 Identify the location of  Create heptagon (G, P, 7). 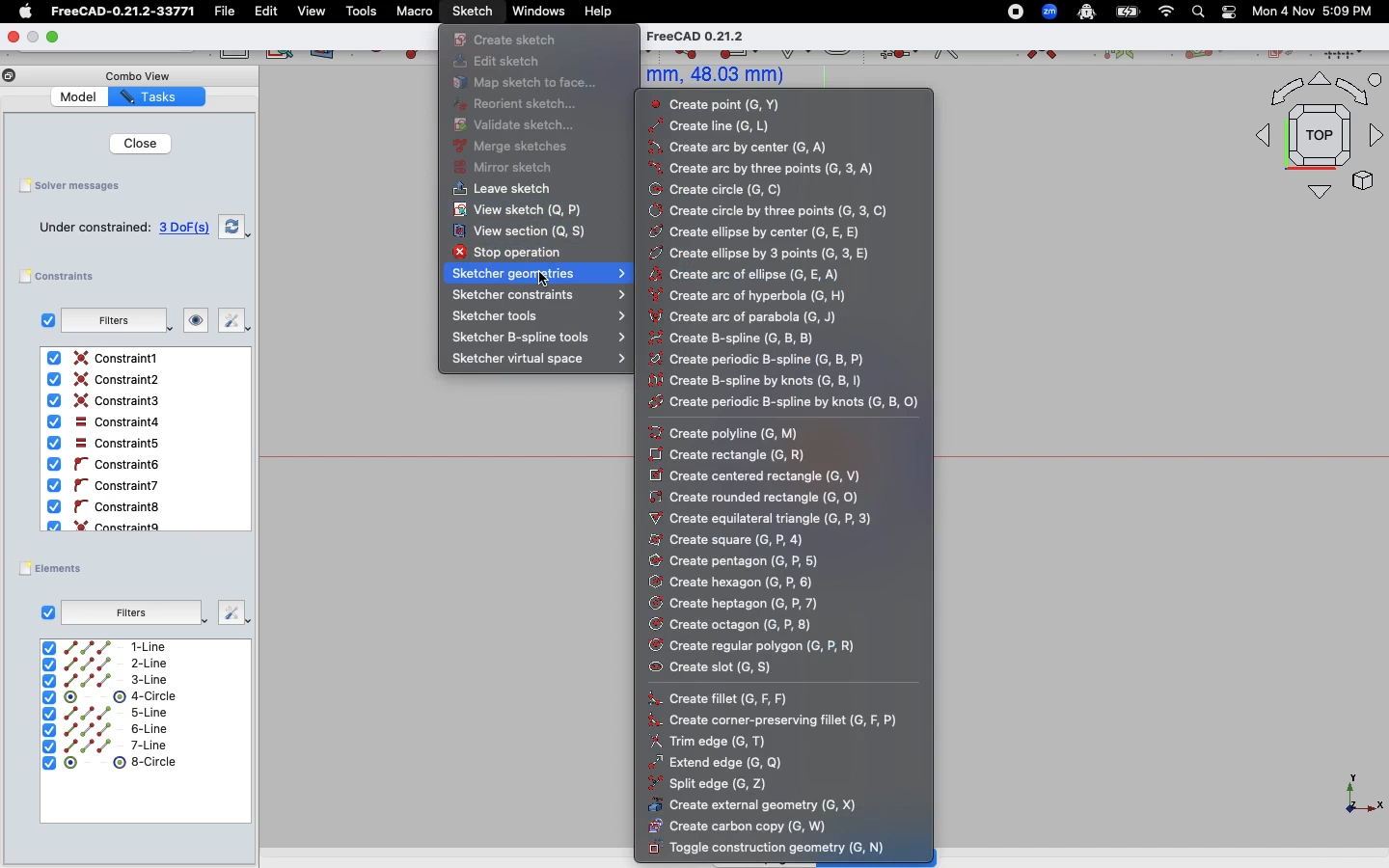
(735, 604).